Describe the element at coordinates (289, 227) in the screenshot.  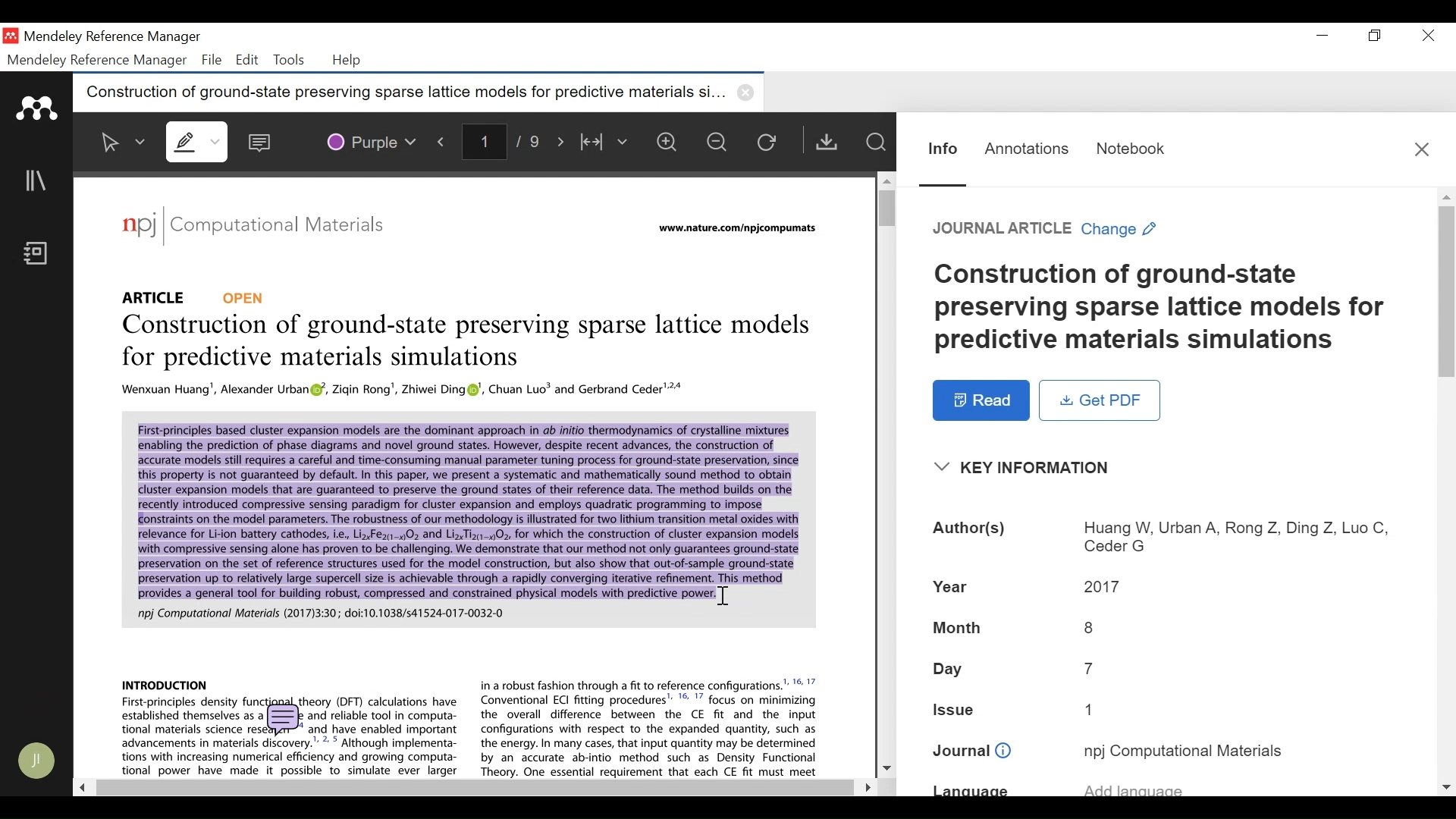
I see `Journal` at that location.